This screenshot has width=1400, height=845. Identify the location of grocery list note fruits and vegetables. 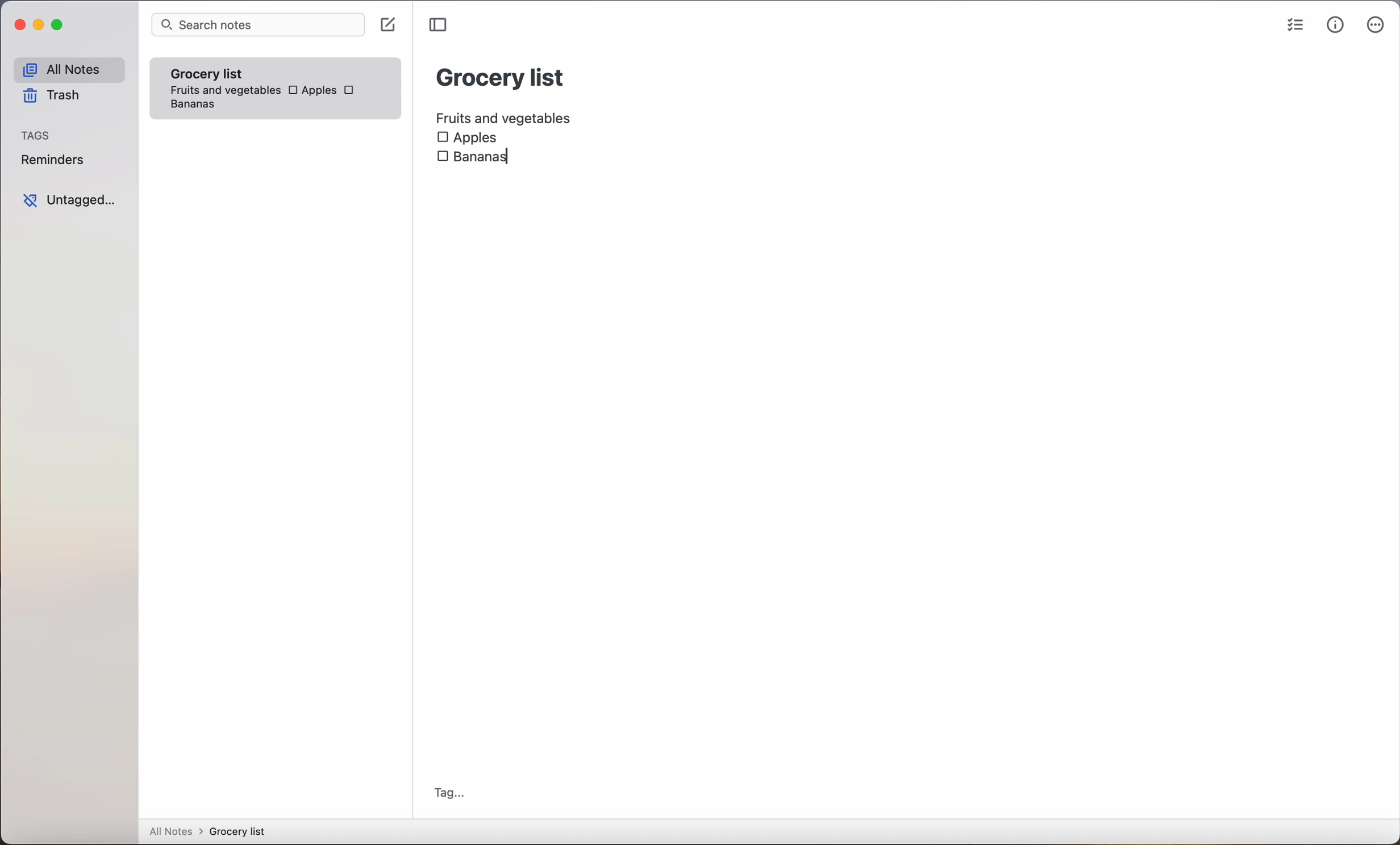
(222, 79).